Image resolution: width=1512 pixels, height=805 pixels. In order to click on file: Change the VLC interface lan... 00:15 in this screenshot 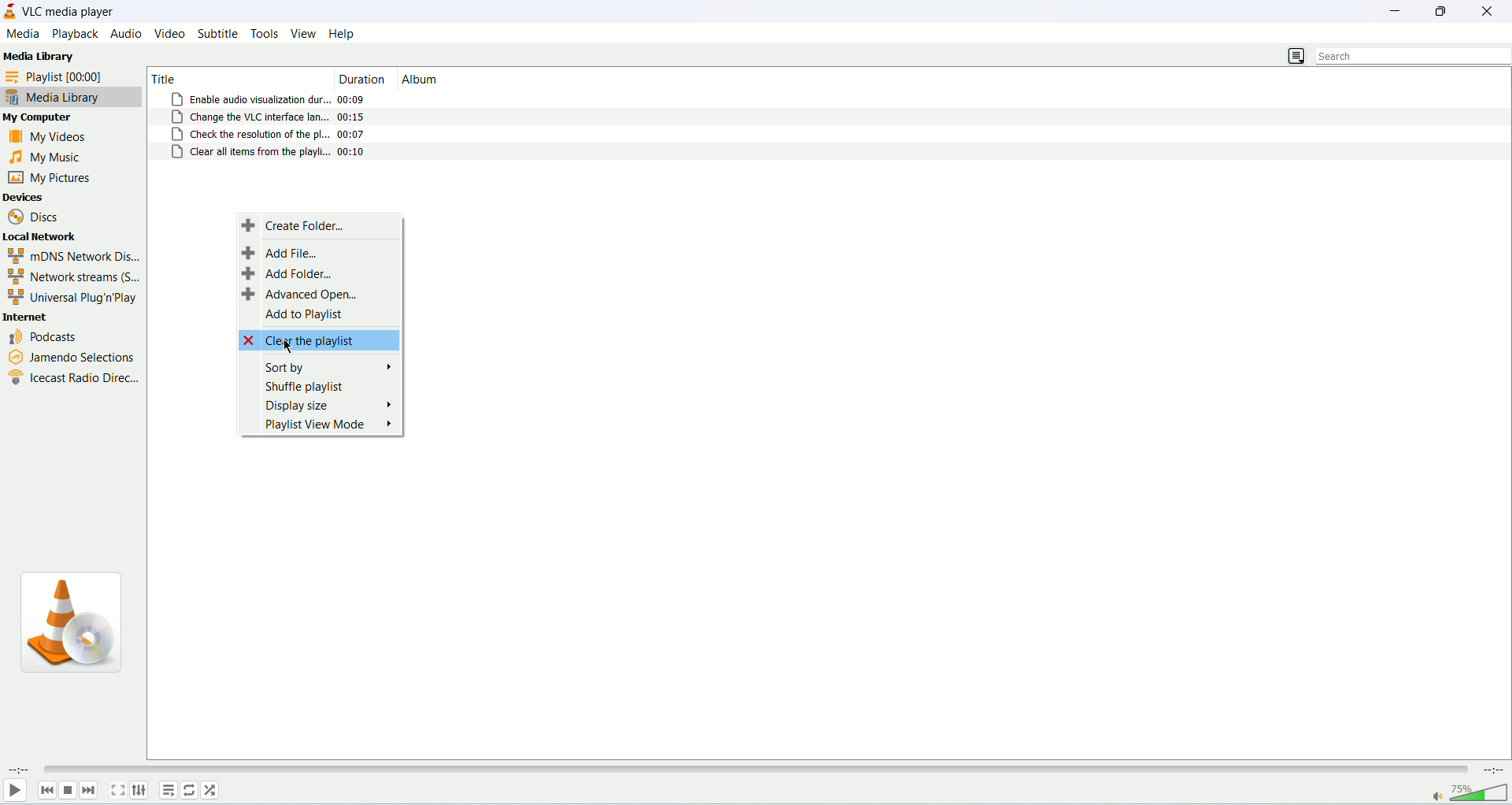, I will do `click(269, 117)`.